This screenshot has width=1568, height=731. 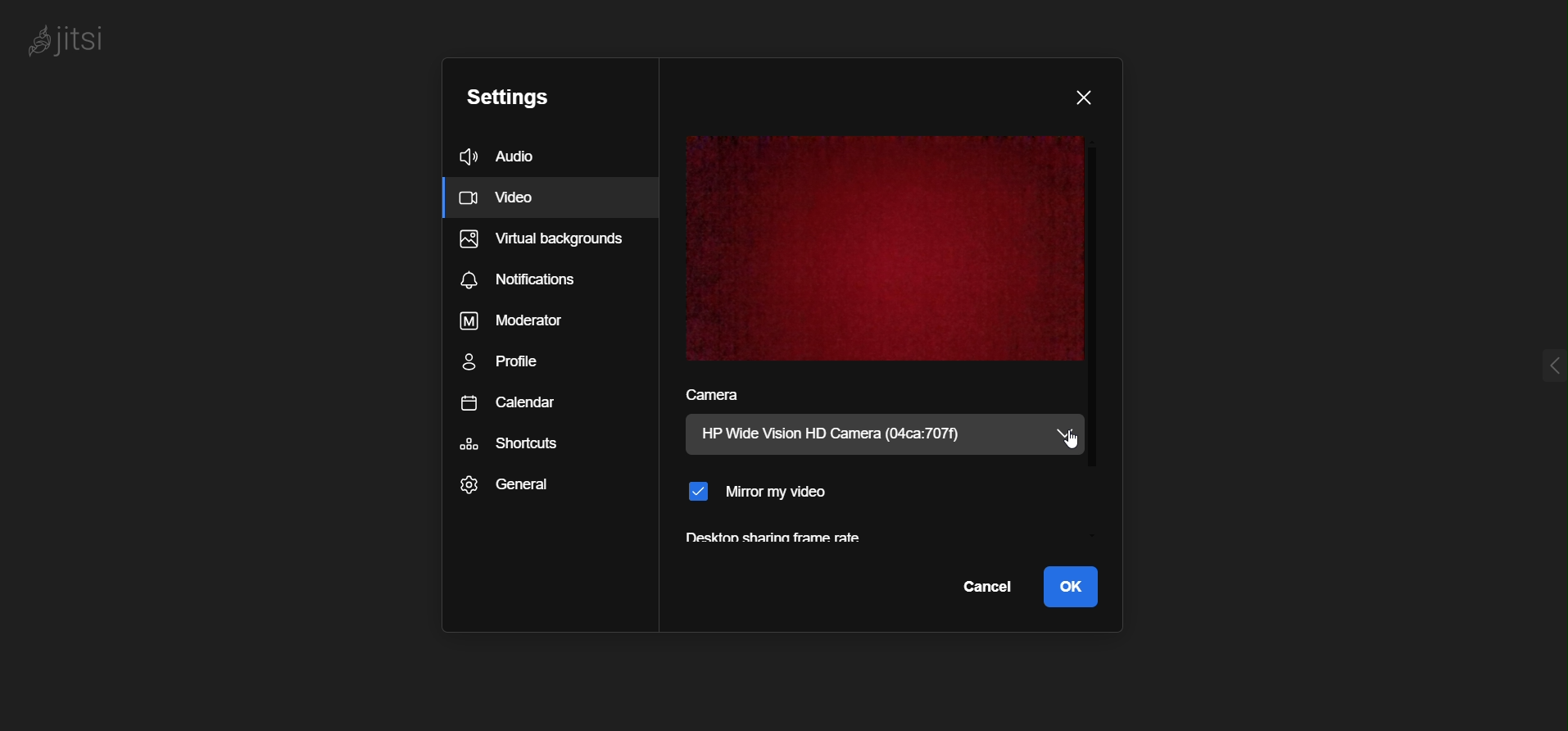 I want to click on current camera, so click(x=872, y=434).